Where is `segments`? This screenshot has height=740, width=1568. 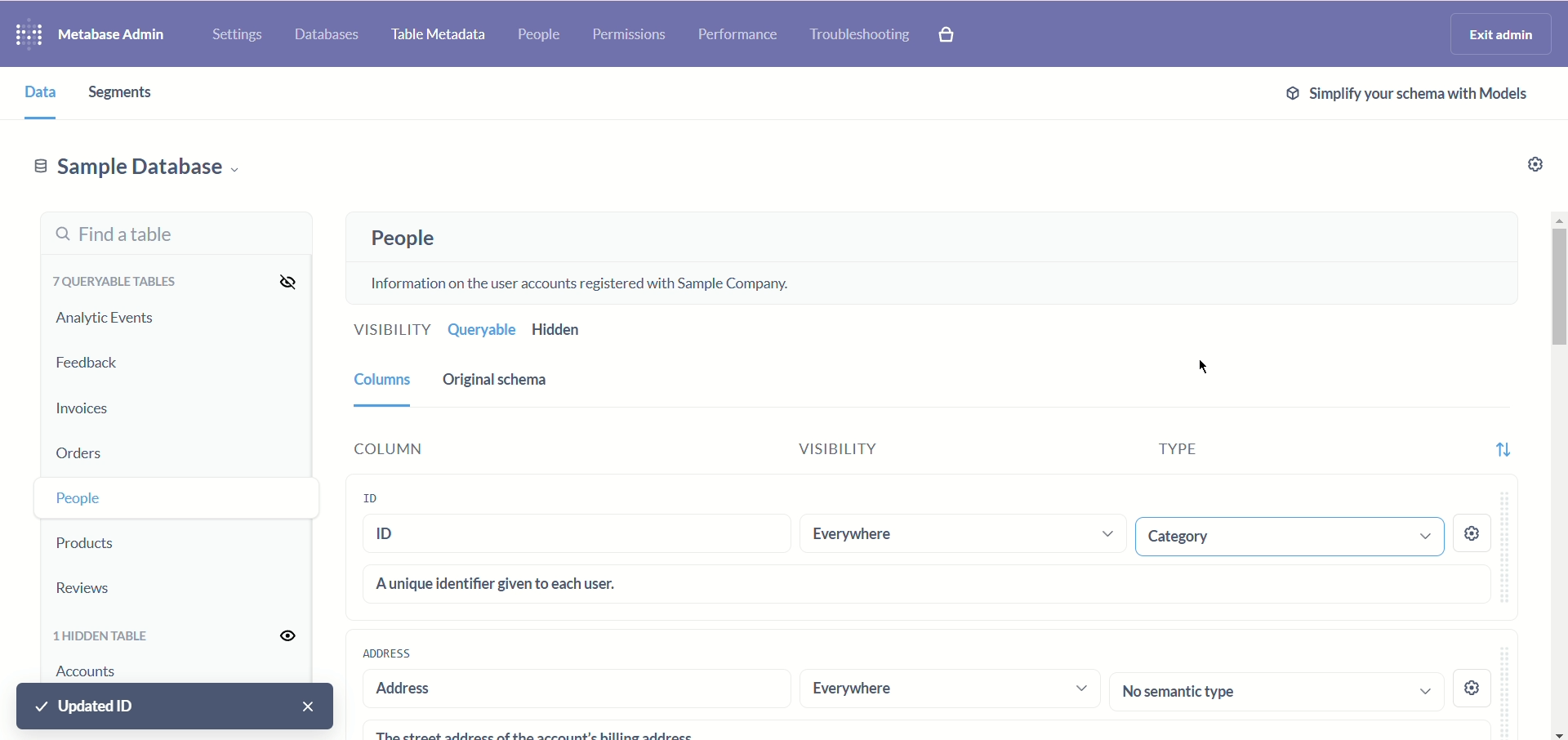
segments is located at coordinates (129, 93).